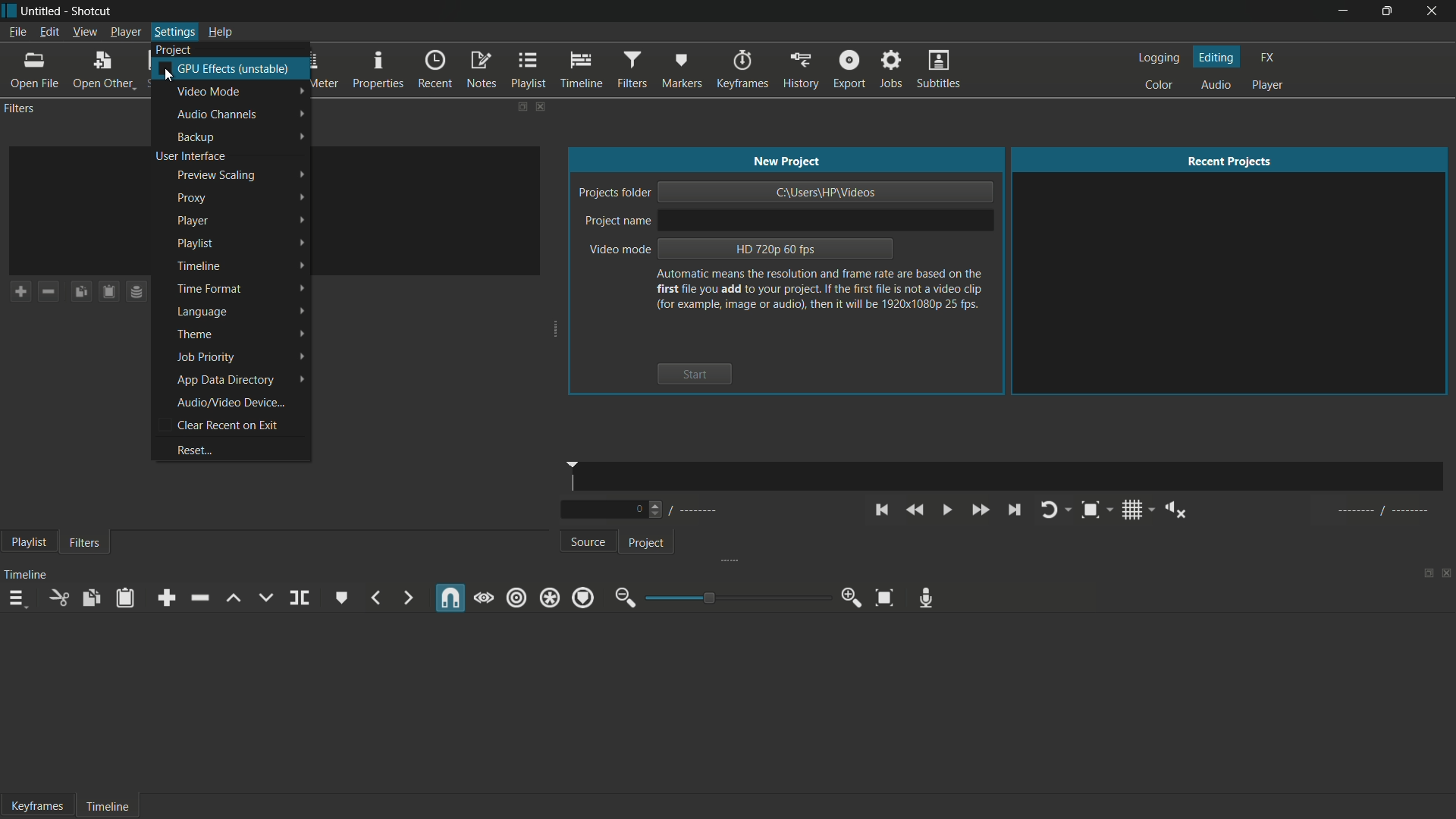  I want to click on recent, so click(437, 70).